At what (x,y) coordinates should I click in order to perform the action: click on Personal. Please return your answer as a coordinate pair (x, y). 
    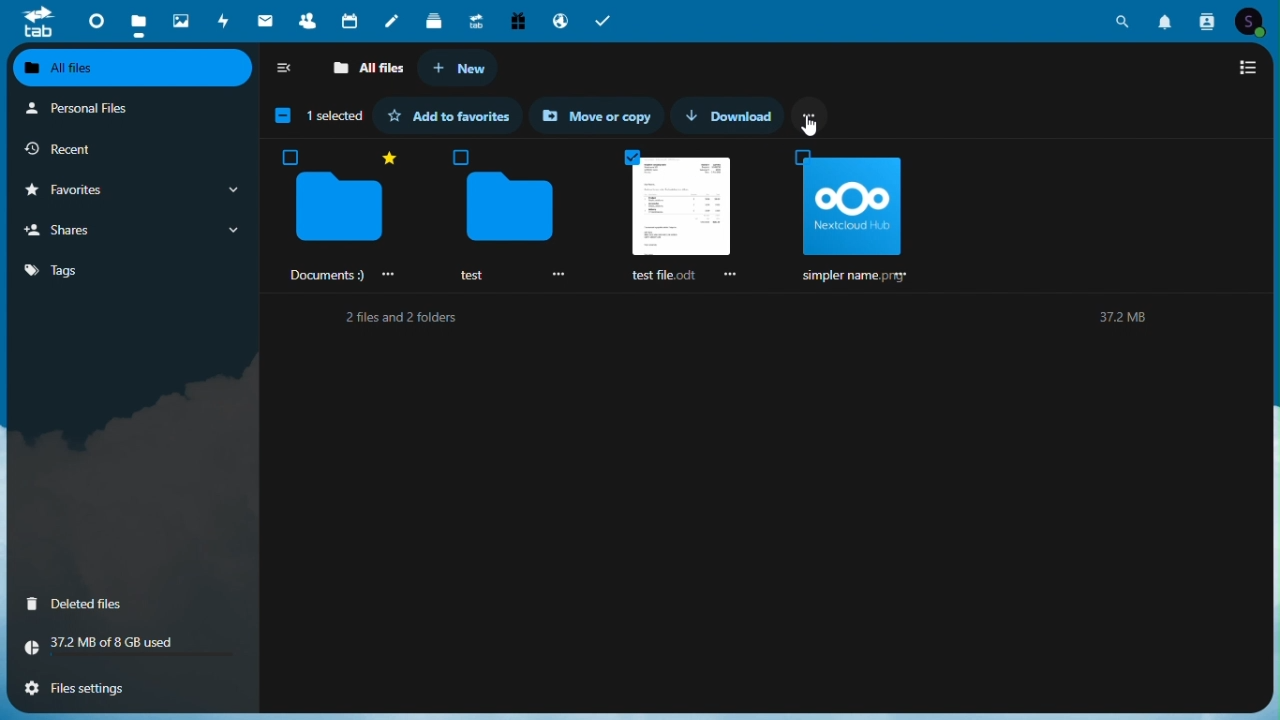
    Looking at the image, I should click on (127, 112).